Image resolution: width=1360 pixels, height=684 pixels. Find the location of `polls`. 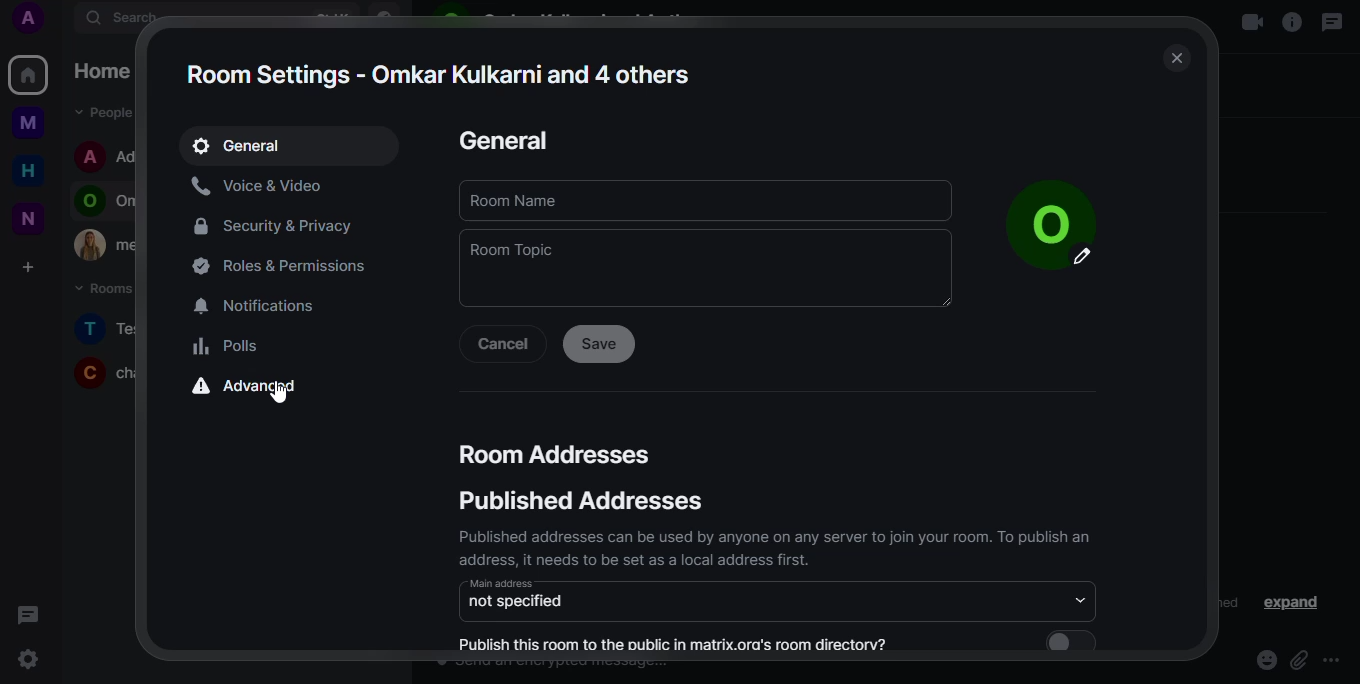

polls is located at coordinates (231, 346).